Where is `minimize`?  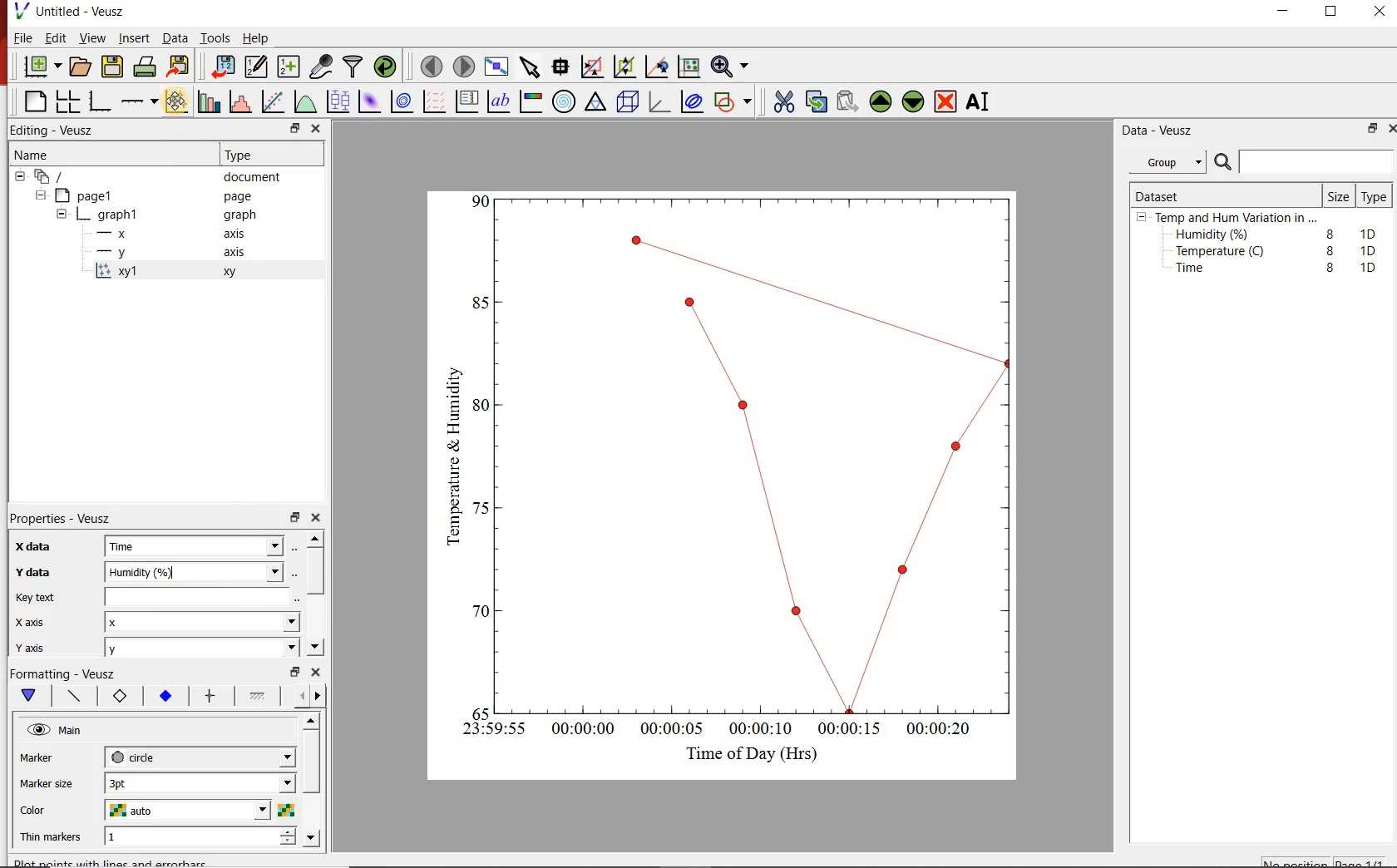 minimize is located at coordinates (1289, 12).